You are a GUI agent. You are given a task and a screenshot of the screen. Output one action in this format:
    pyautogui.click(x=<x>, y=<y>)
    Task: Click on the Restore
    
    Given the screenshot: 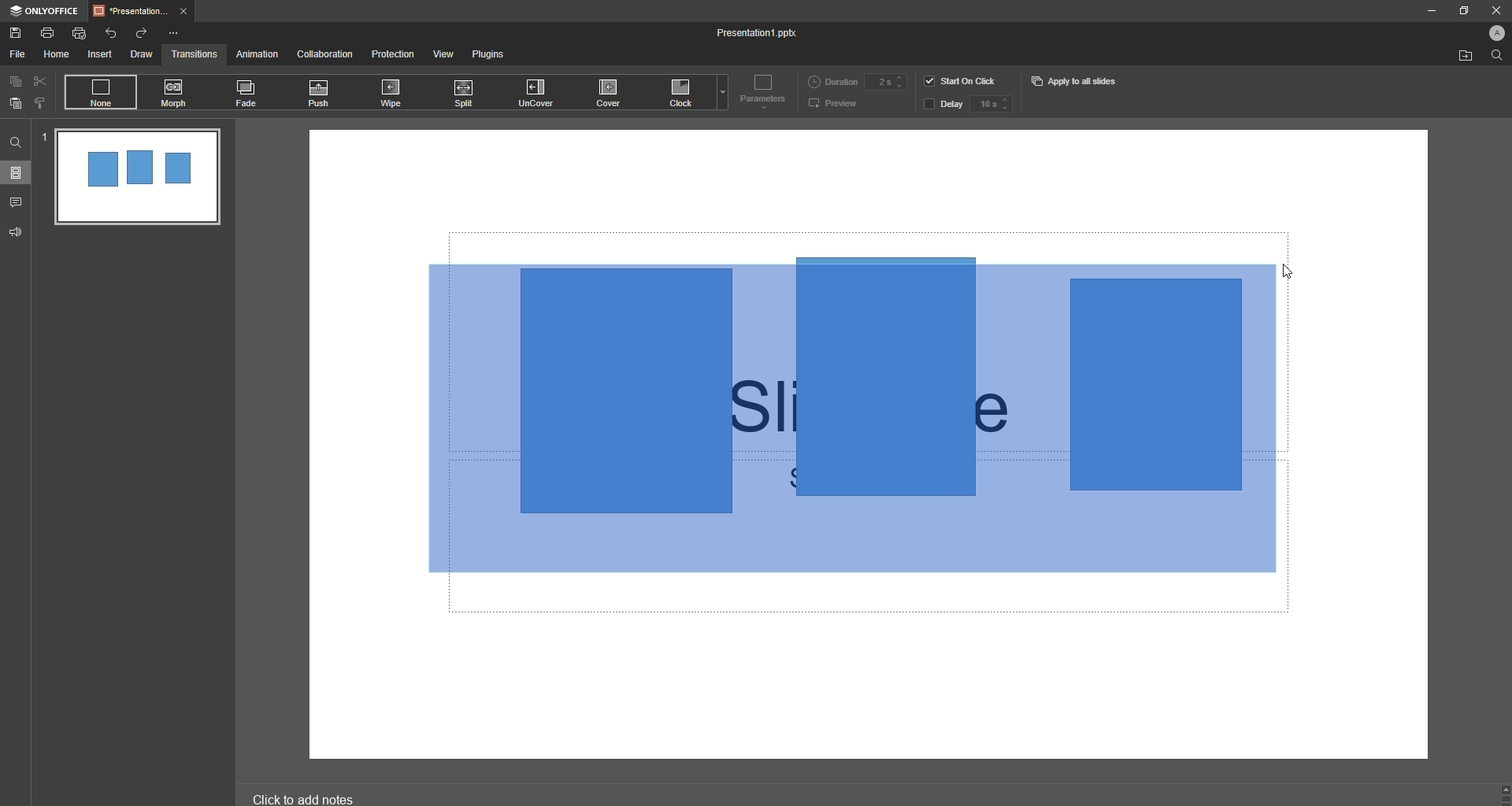 What is the action you would take?
    pyautogui.click(x=1460, y=11)
    